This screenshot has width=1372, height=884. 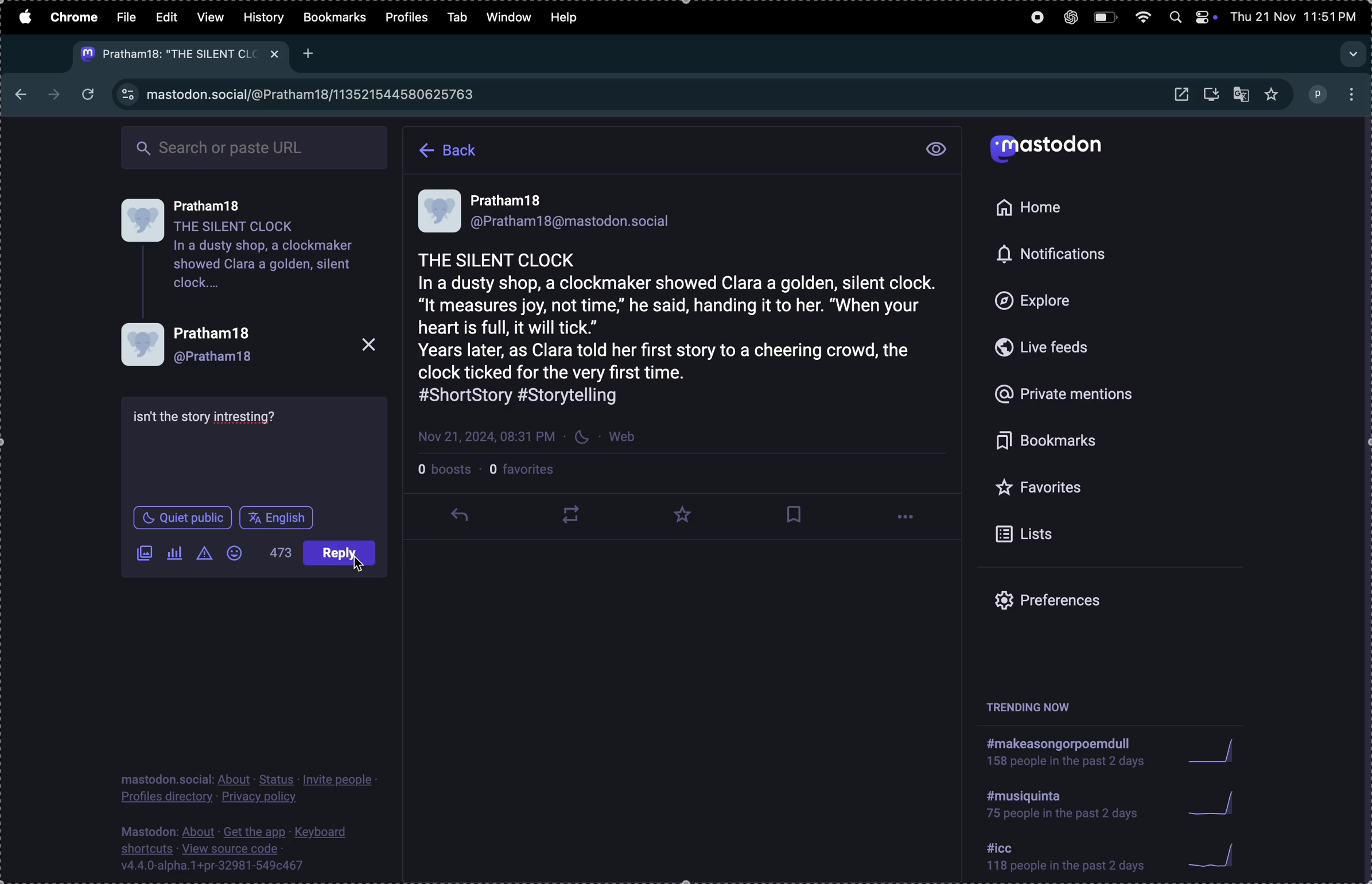 What do you see at coordinates (232, 549) in the screenshot?
I see `add emoji` at bounding box center [232, 549].